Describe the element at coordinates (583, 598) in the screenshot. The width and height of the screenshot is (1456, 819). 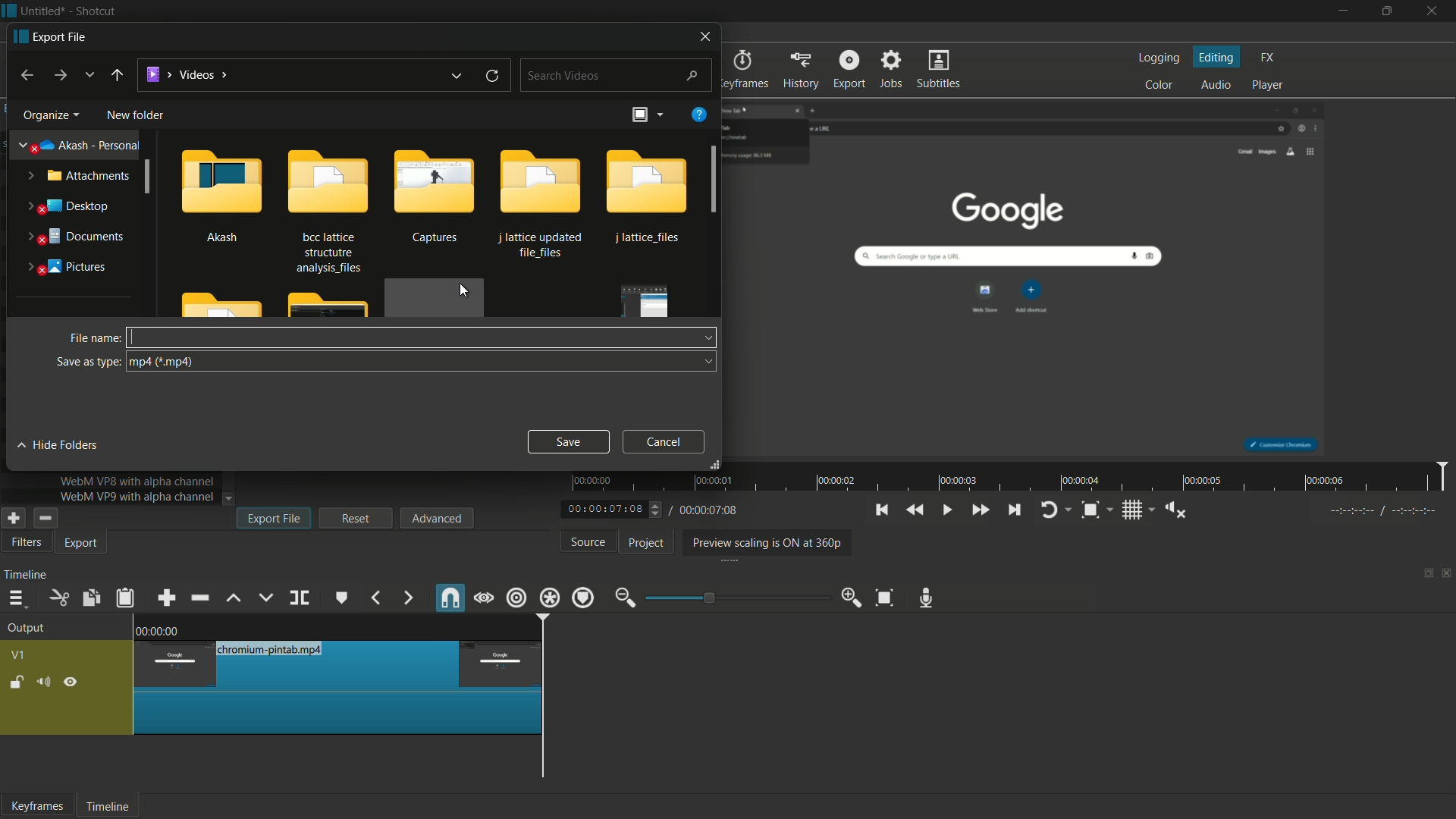
I see `ripple markers` at that location.